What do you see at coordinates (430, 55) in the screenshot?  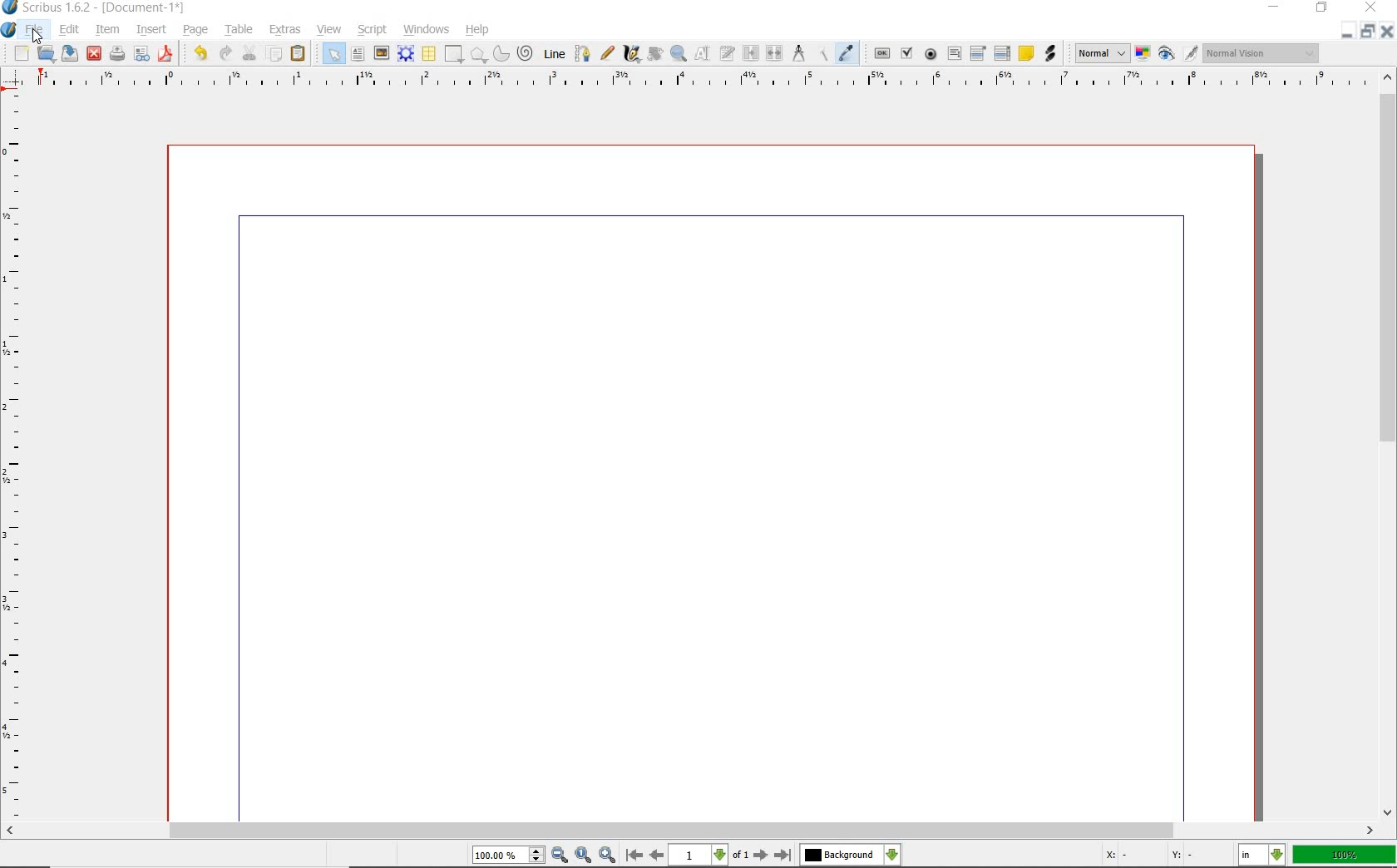 I see `table` at bounding box center [430, 55].